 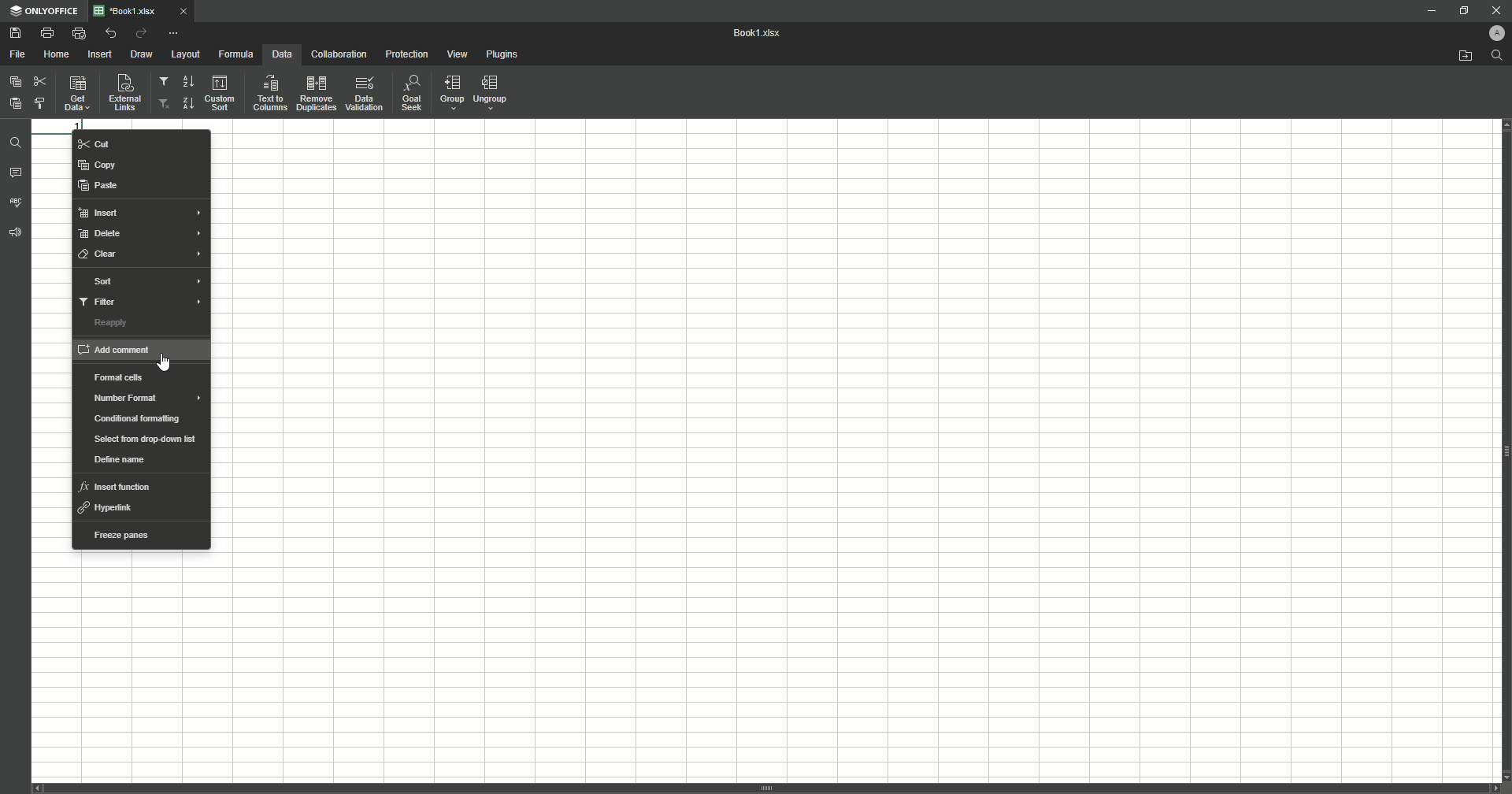 I want to click on View, so click(x=459, y=55).